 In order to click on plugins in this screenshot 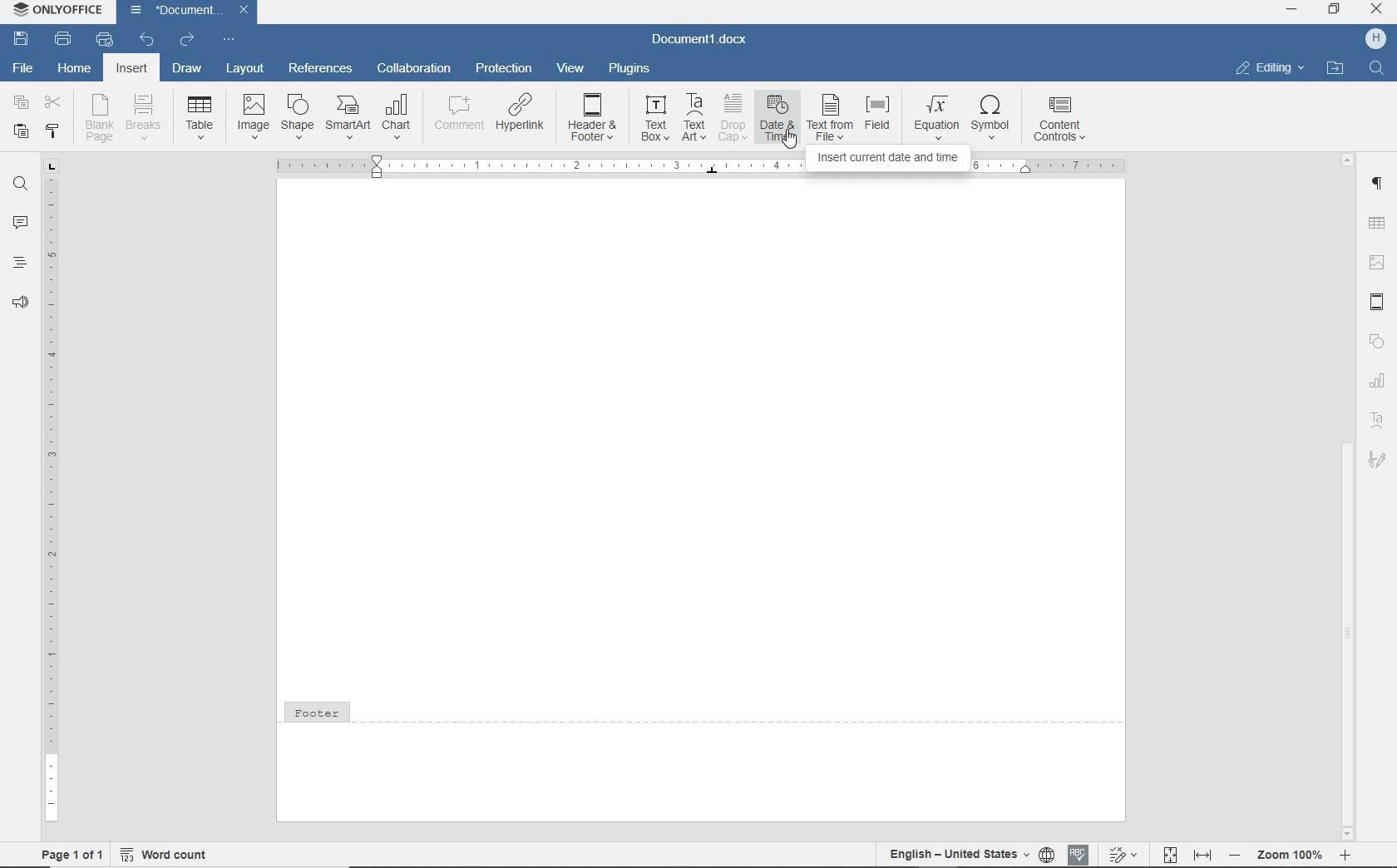, I will do `click(631, 70)`.